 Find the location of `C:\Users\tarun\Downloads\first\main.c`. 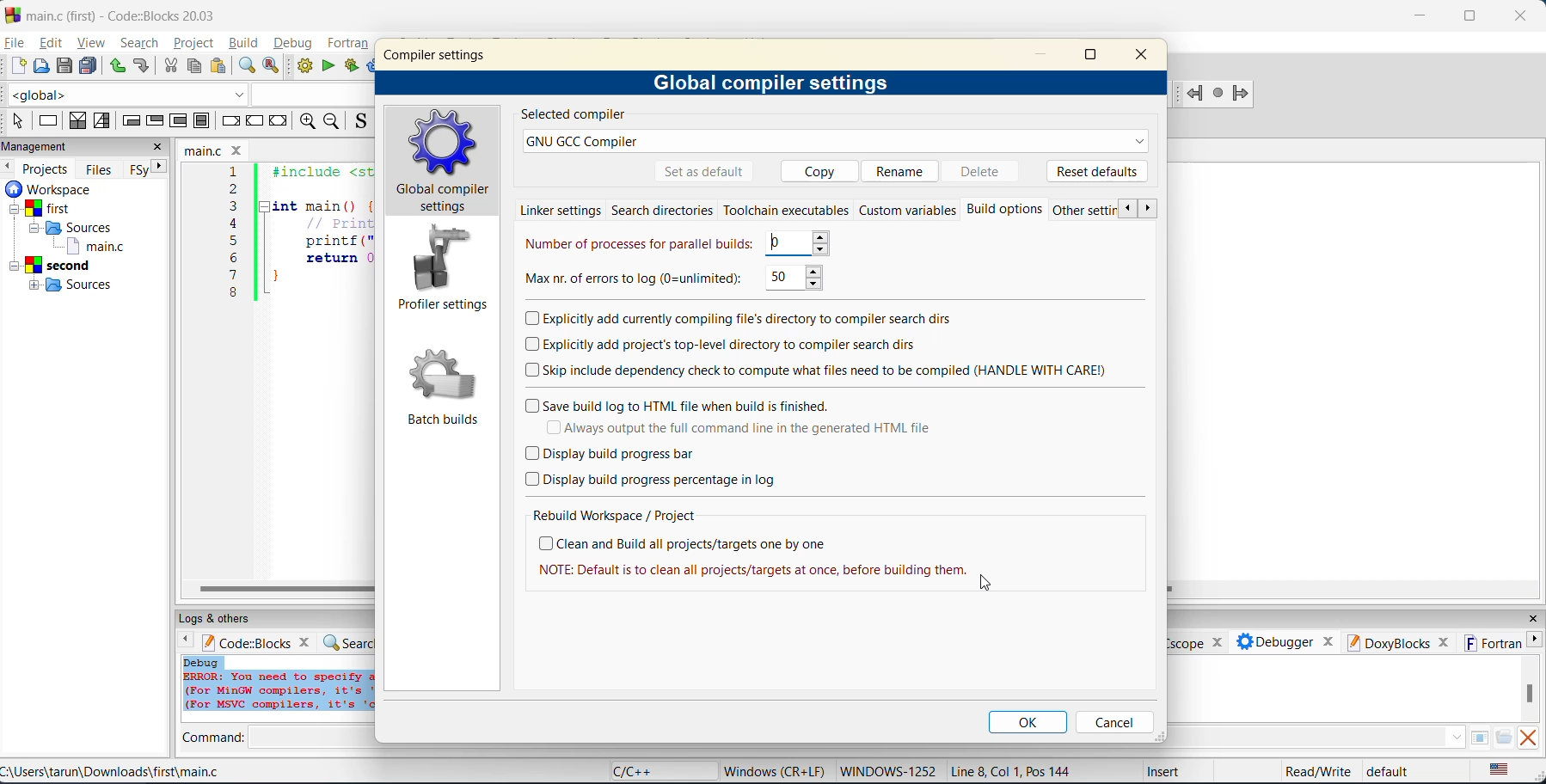

C:\Users\tarun\Downloads\first\main.c is located at coordinates (115, 771).